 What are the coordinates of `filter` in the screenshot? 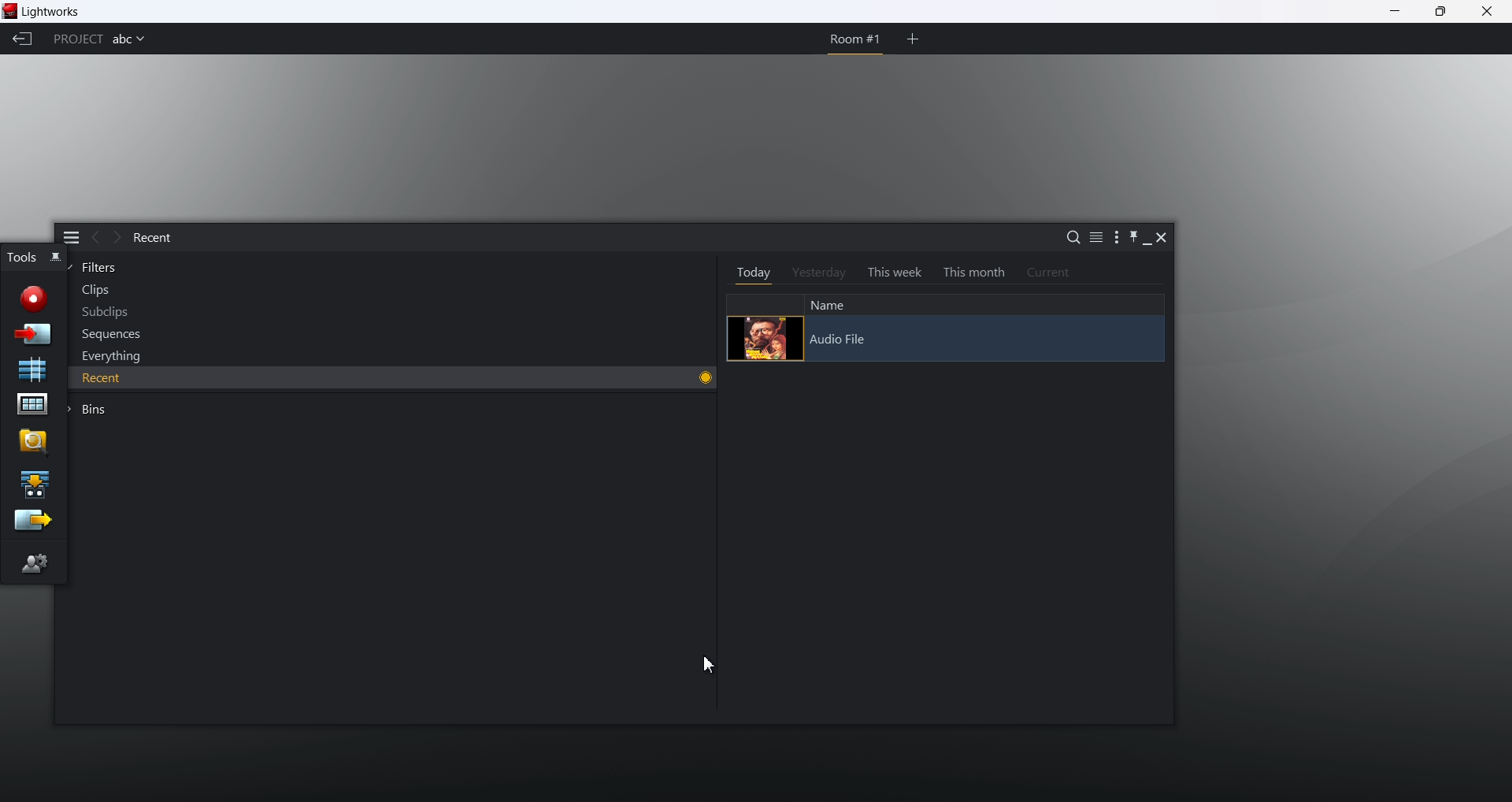 It's located at (95, 268).